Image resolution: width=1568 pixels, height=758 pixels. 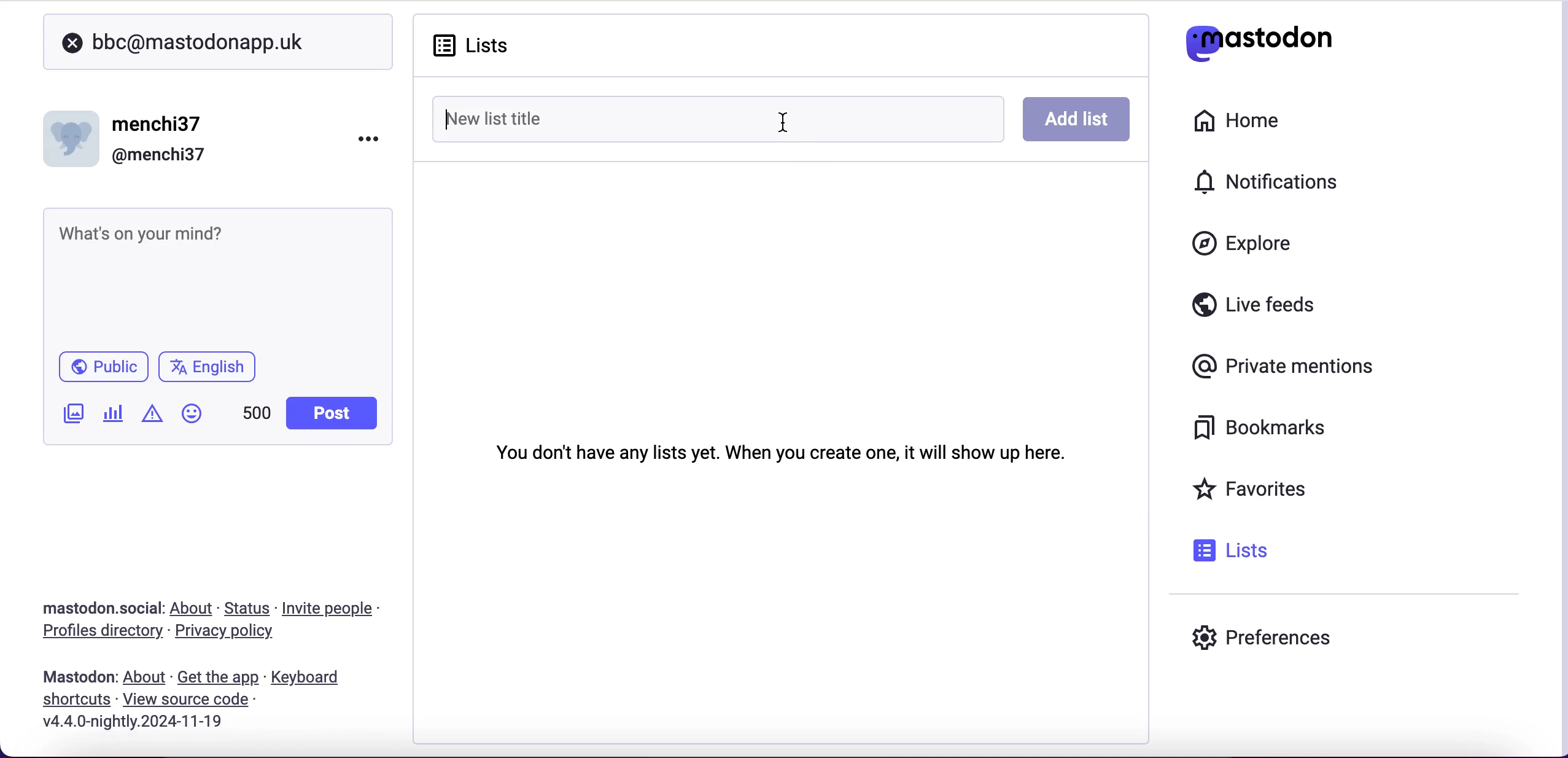 I want to click on privacy policy, so click(x=235, y=633).